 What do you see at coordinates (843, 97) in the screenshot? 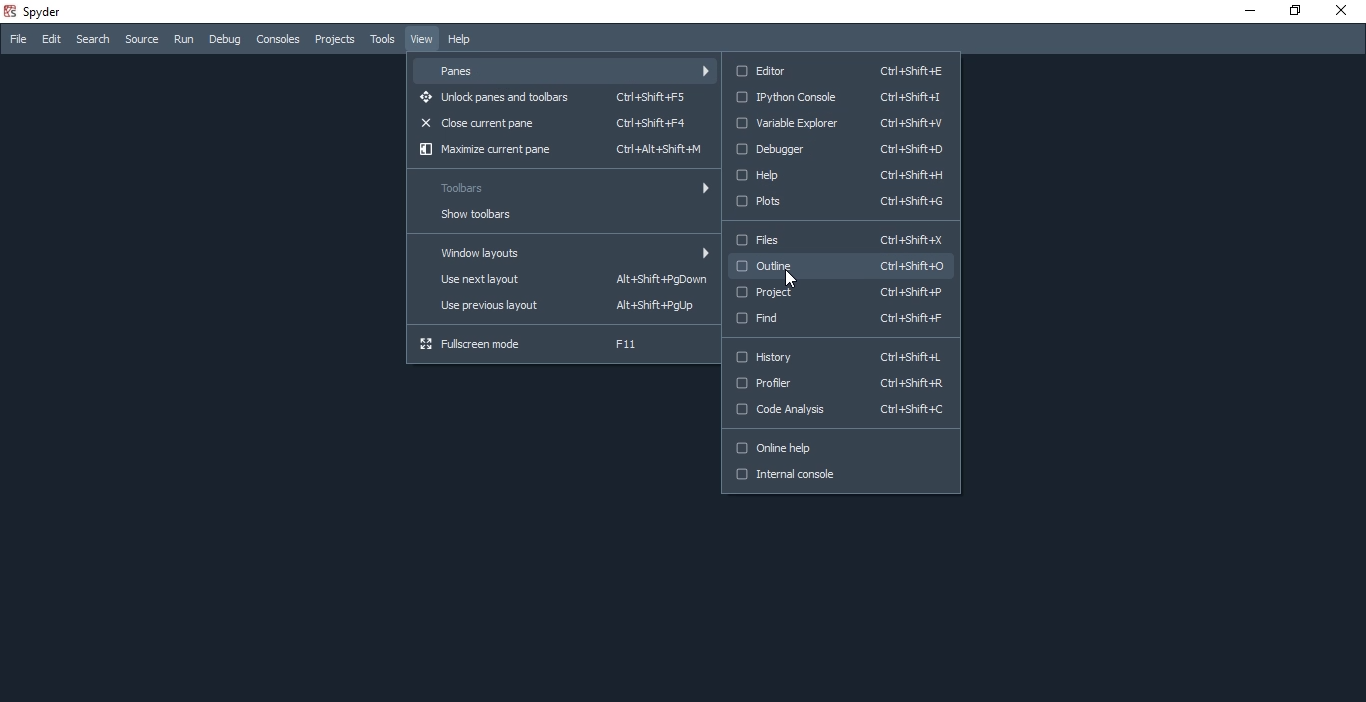
I see `IPython Console` at bounding box center [843, 97].